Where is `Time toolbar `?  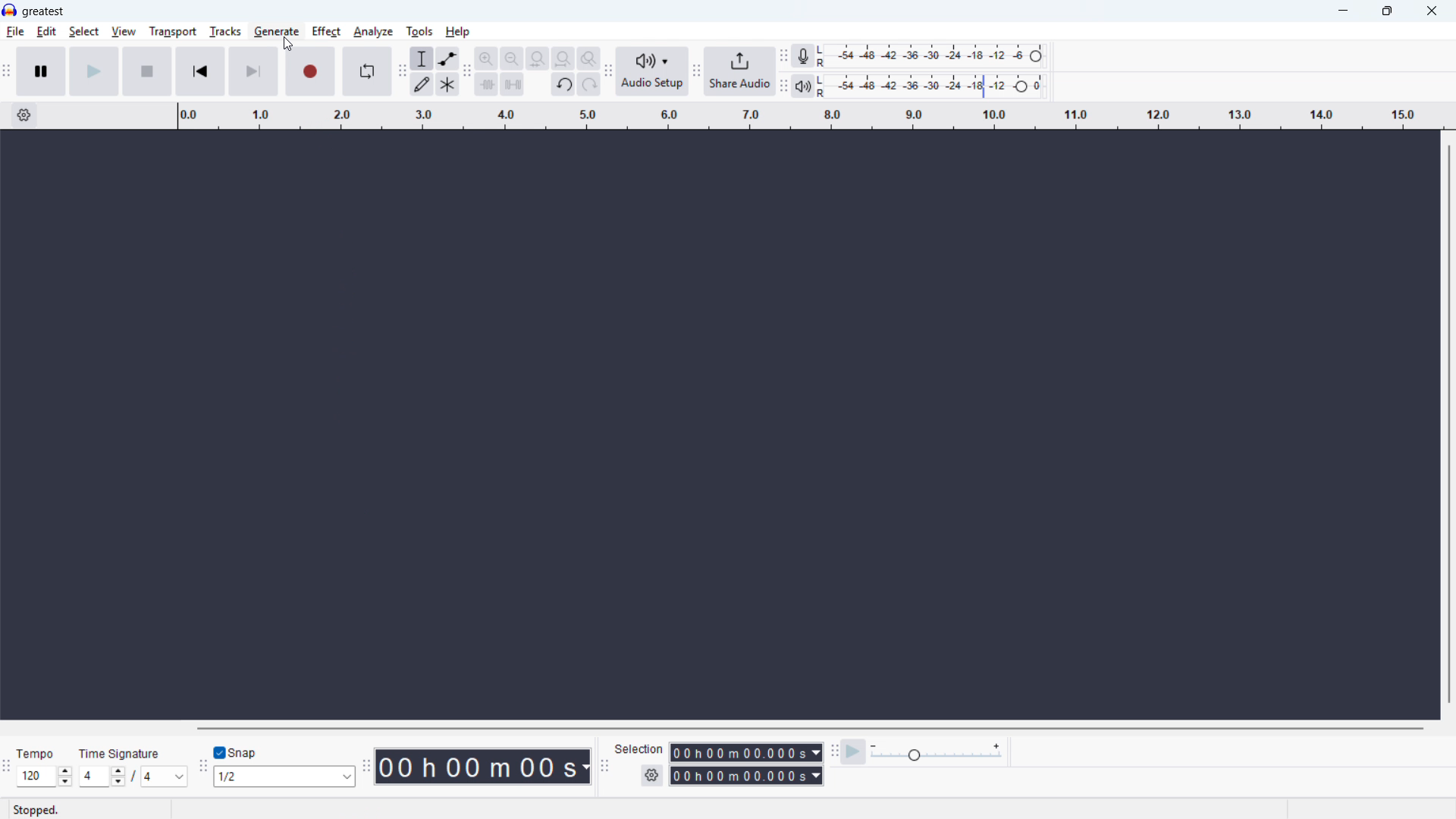
Time toolbar  is located at coordinates (369, 767).